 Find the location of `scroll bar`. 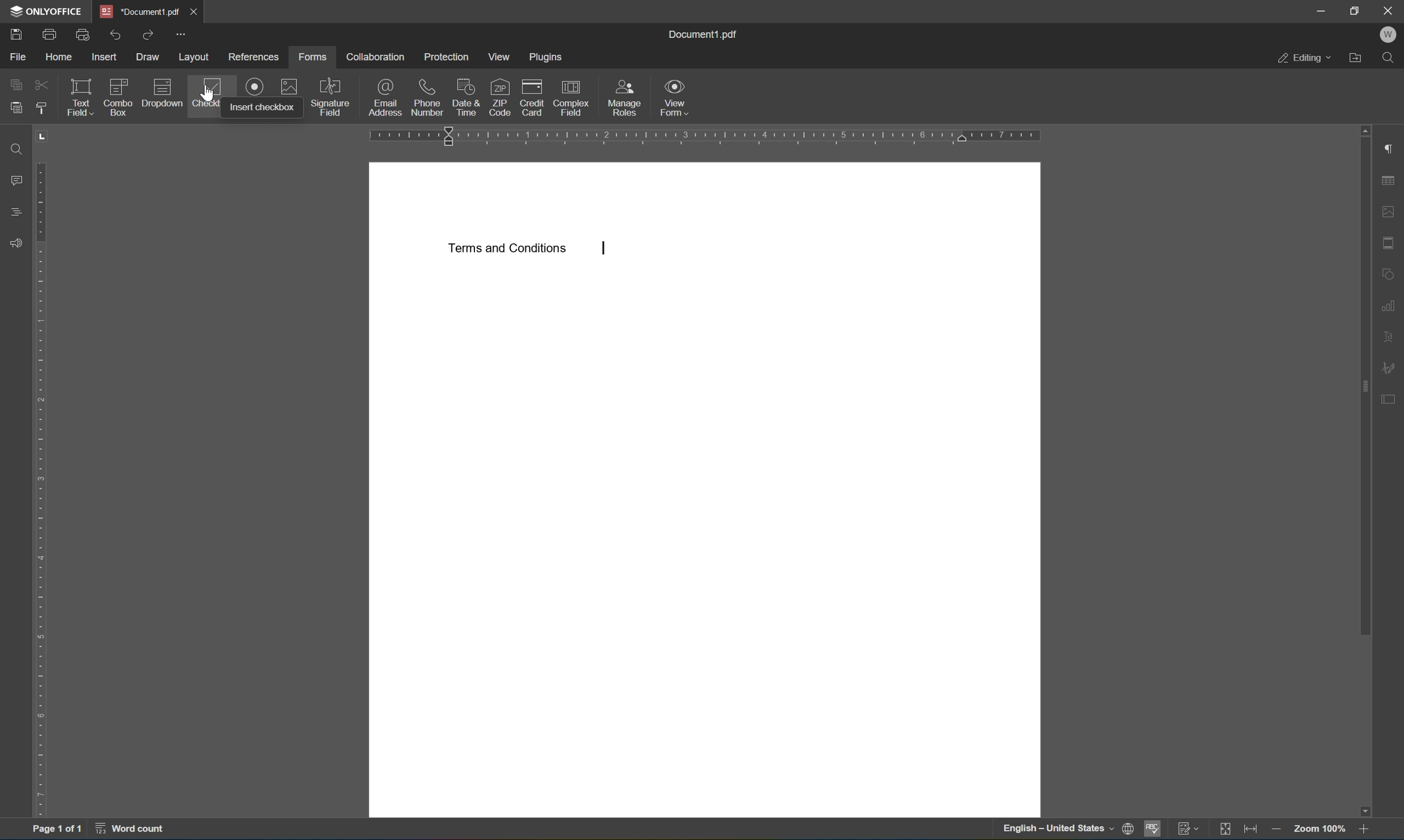

scroll bar is located at coordinates (1367, 381).